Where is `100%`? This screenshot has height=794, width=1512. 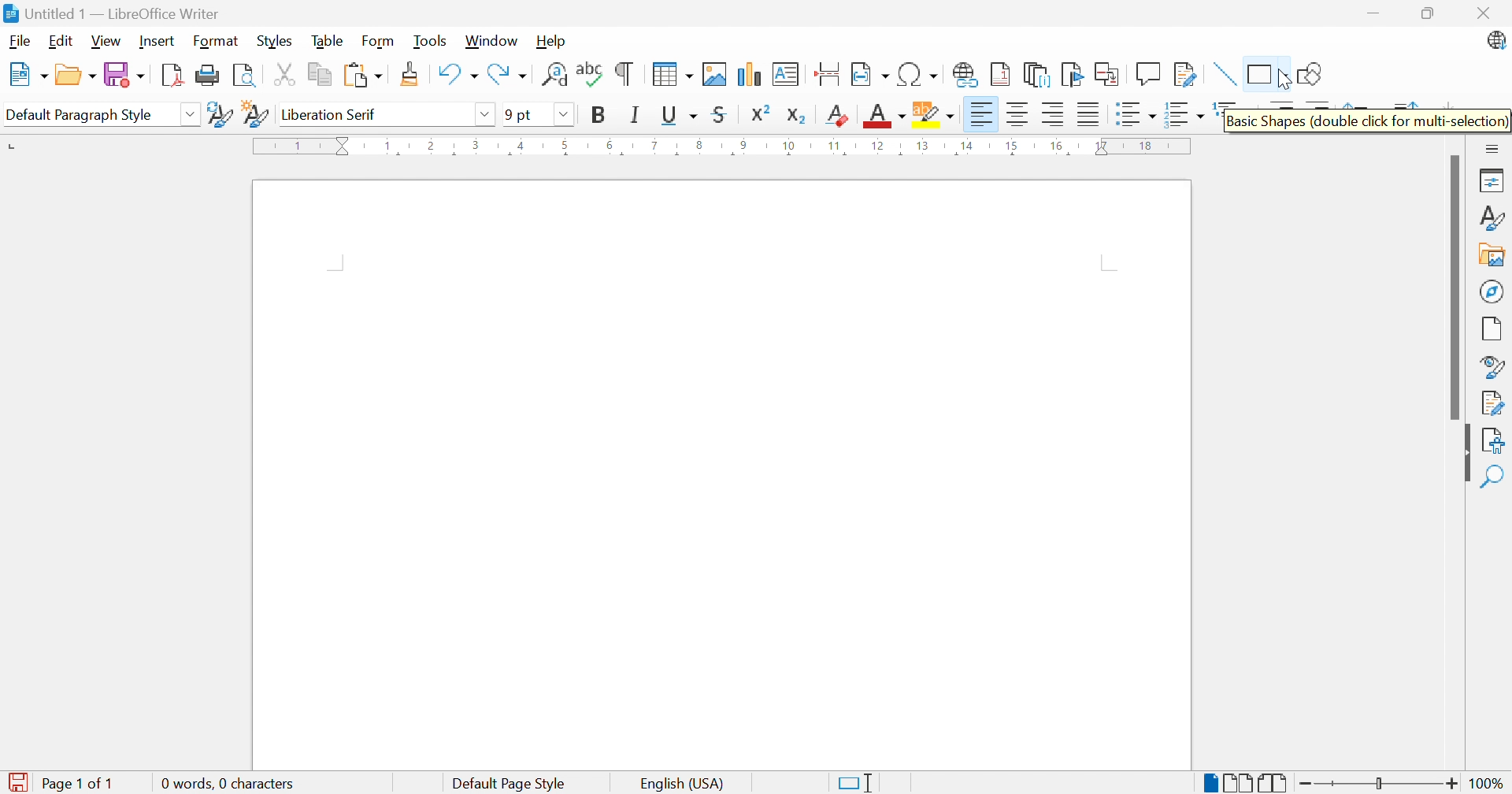
100% is located at coordinates (1489, 785).